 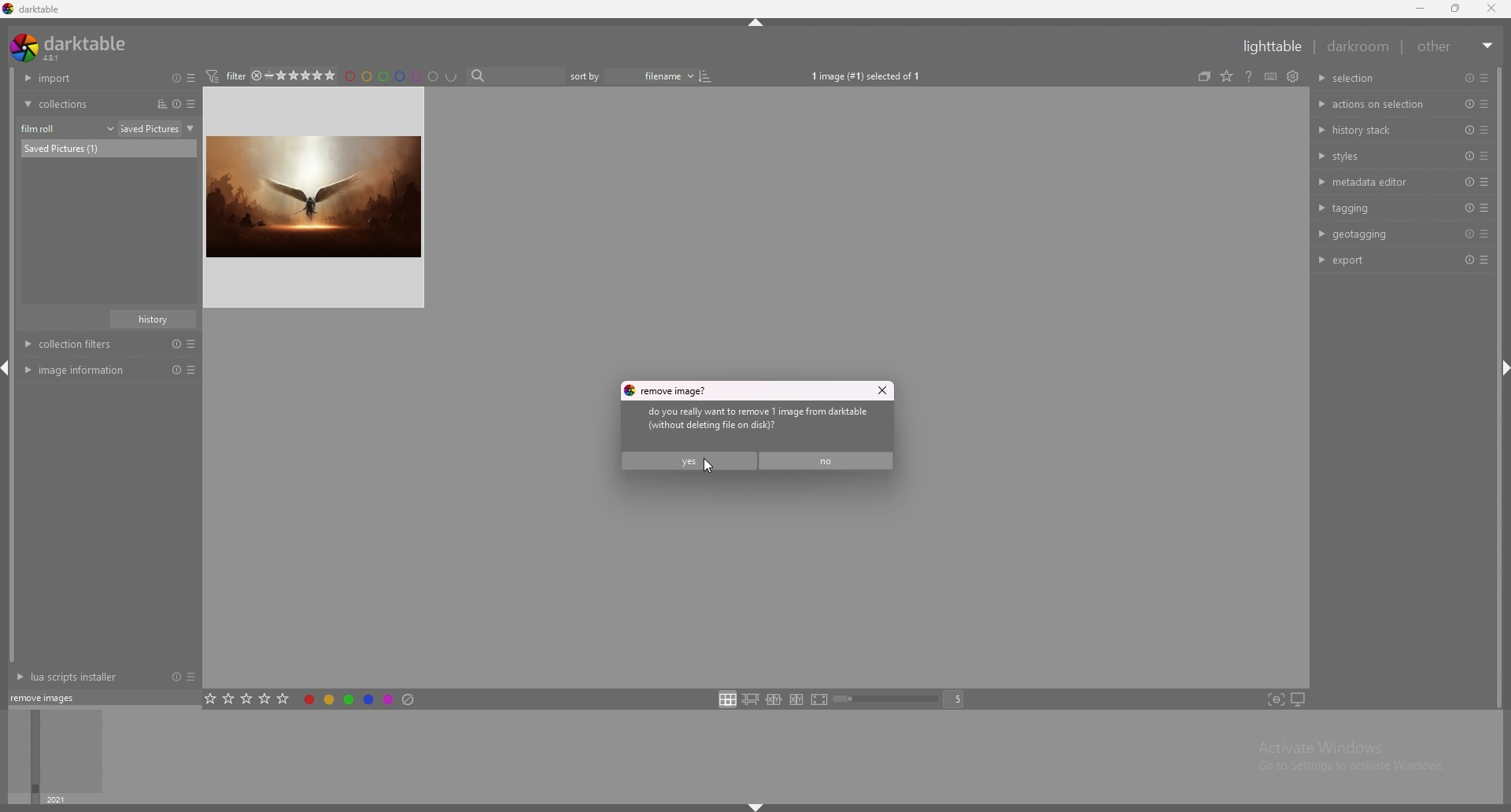 I want to click on lighttable, so click(x=1268, y=46).